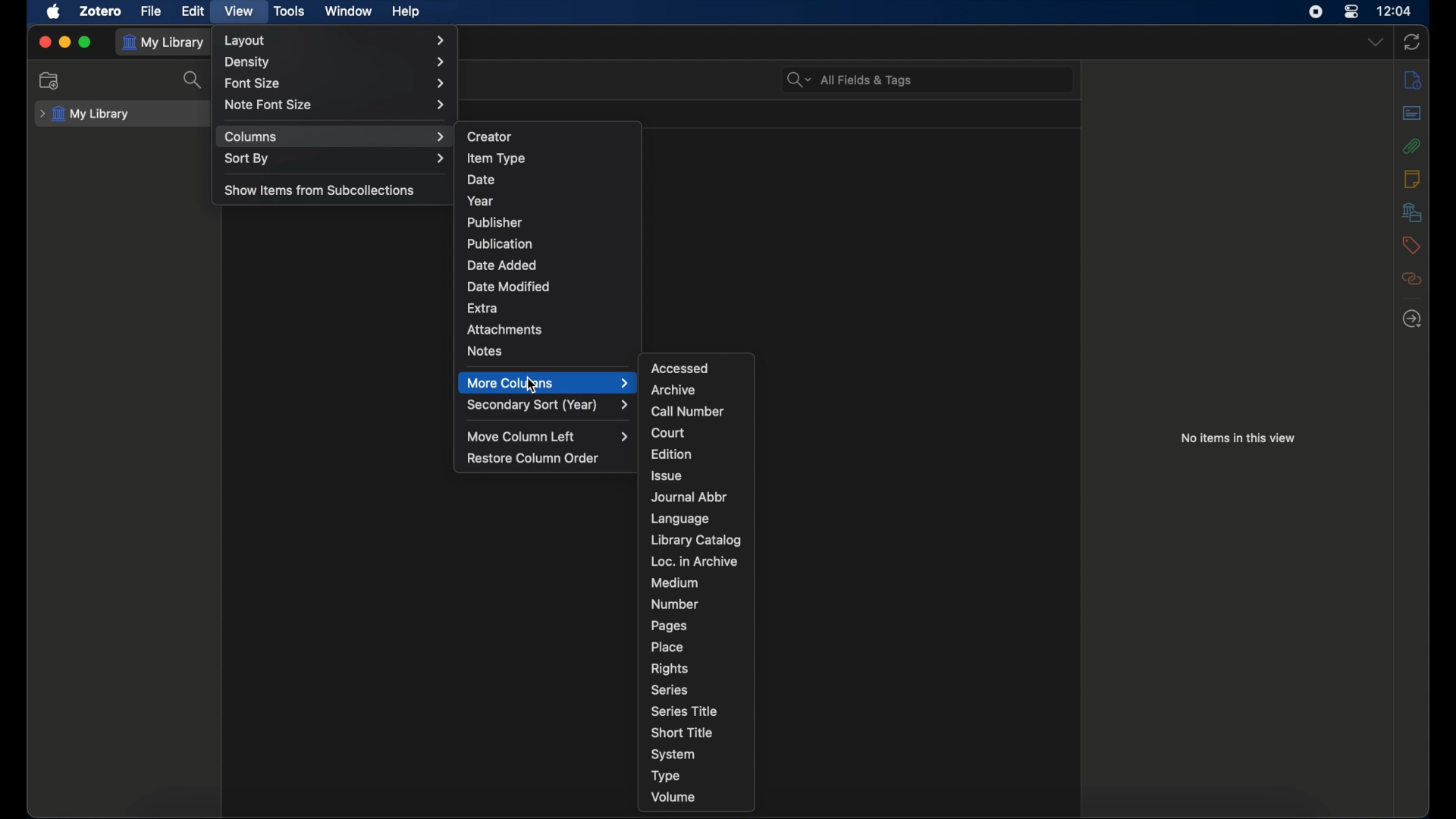 Image resolution: width=1456 pixels, height=819 pixels. What do you see at coordinates (42, 42) in the screenshot?
I see `close` at bounding box center [42, 42].